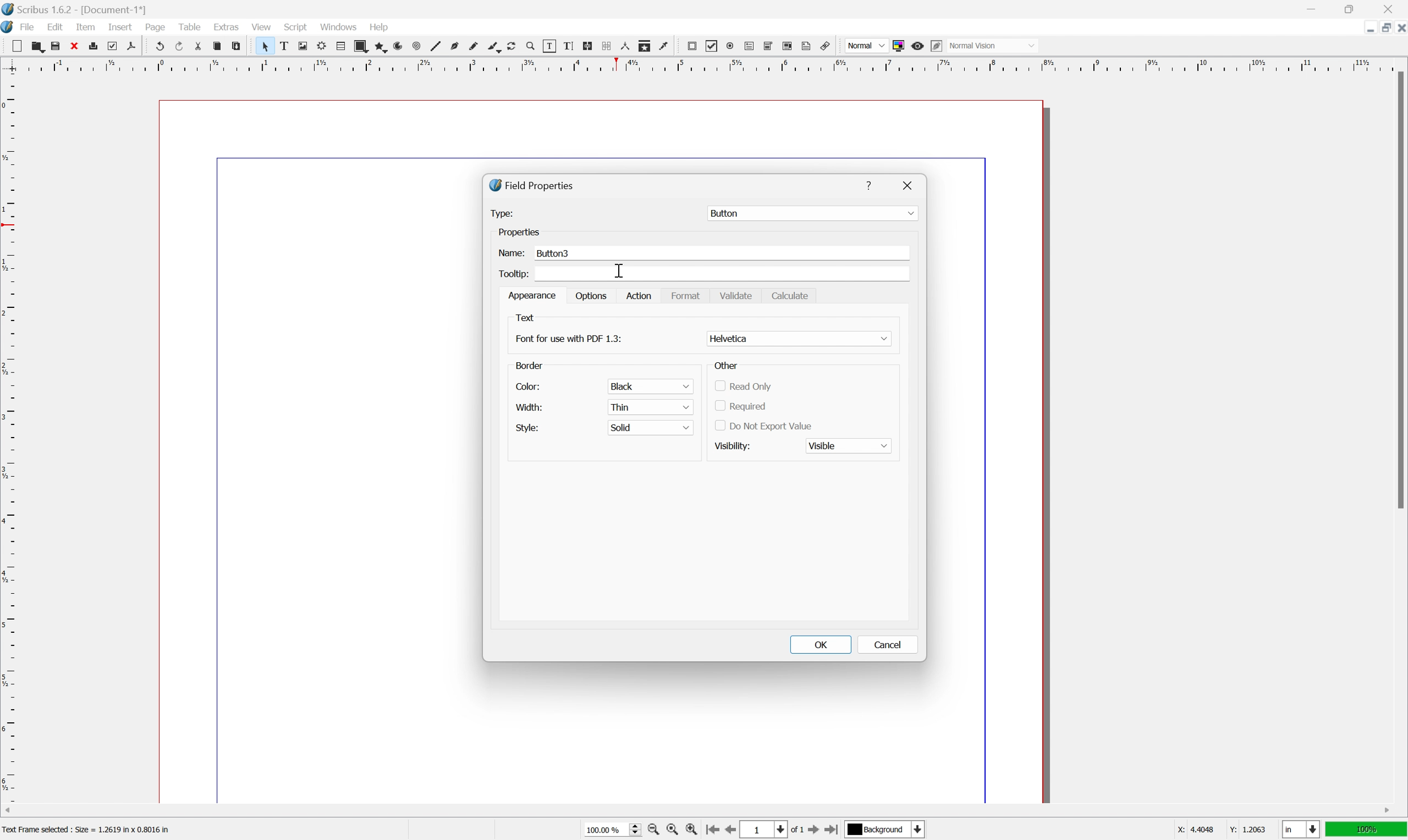 This screenshot has height=840, width=1408. I want to click on Visible, so click(849, 444).